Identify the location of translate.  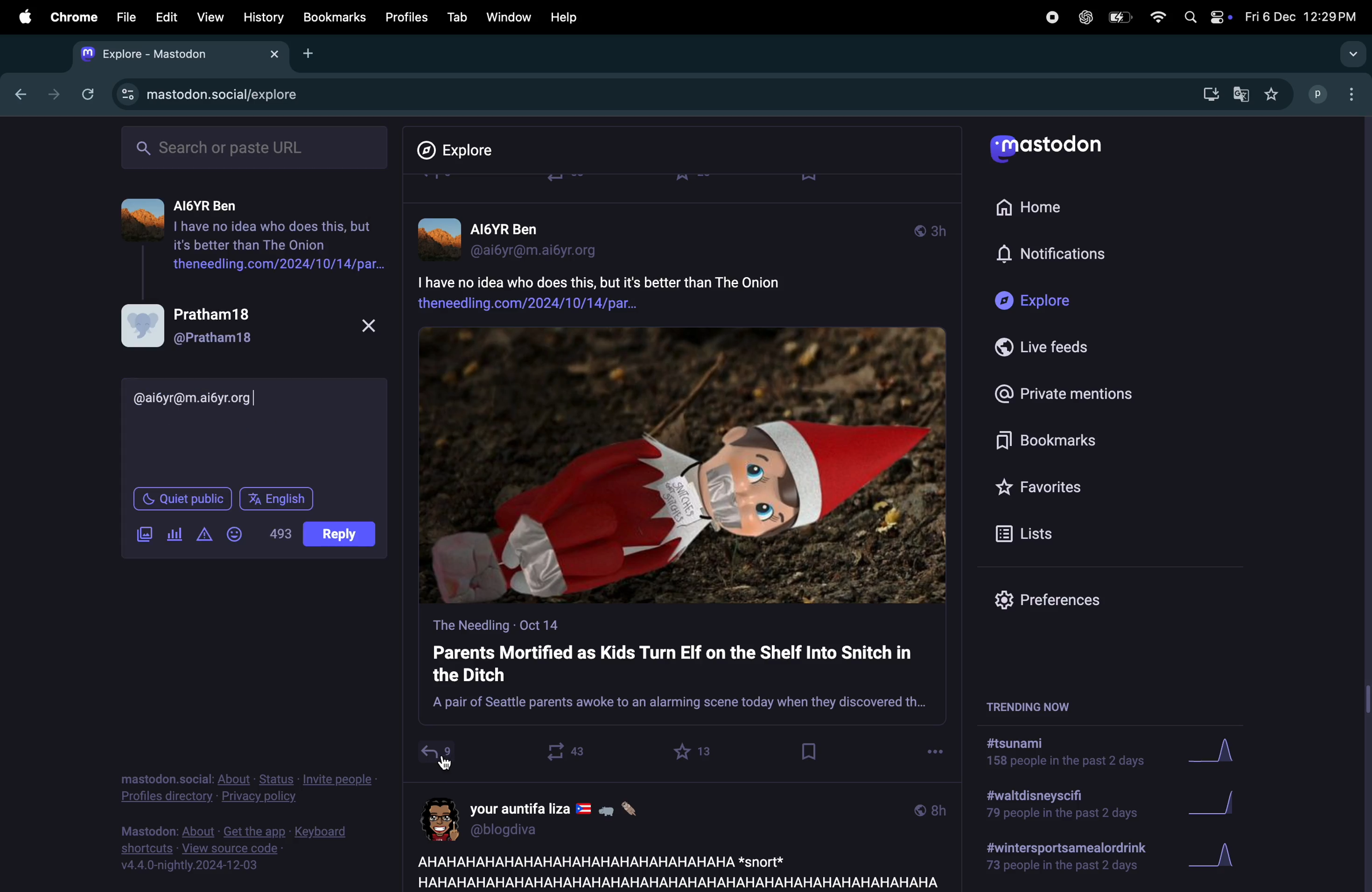
(1241, 96).